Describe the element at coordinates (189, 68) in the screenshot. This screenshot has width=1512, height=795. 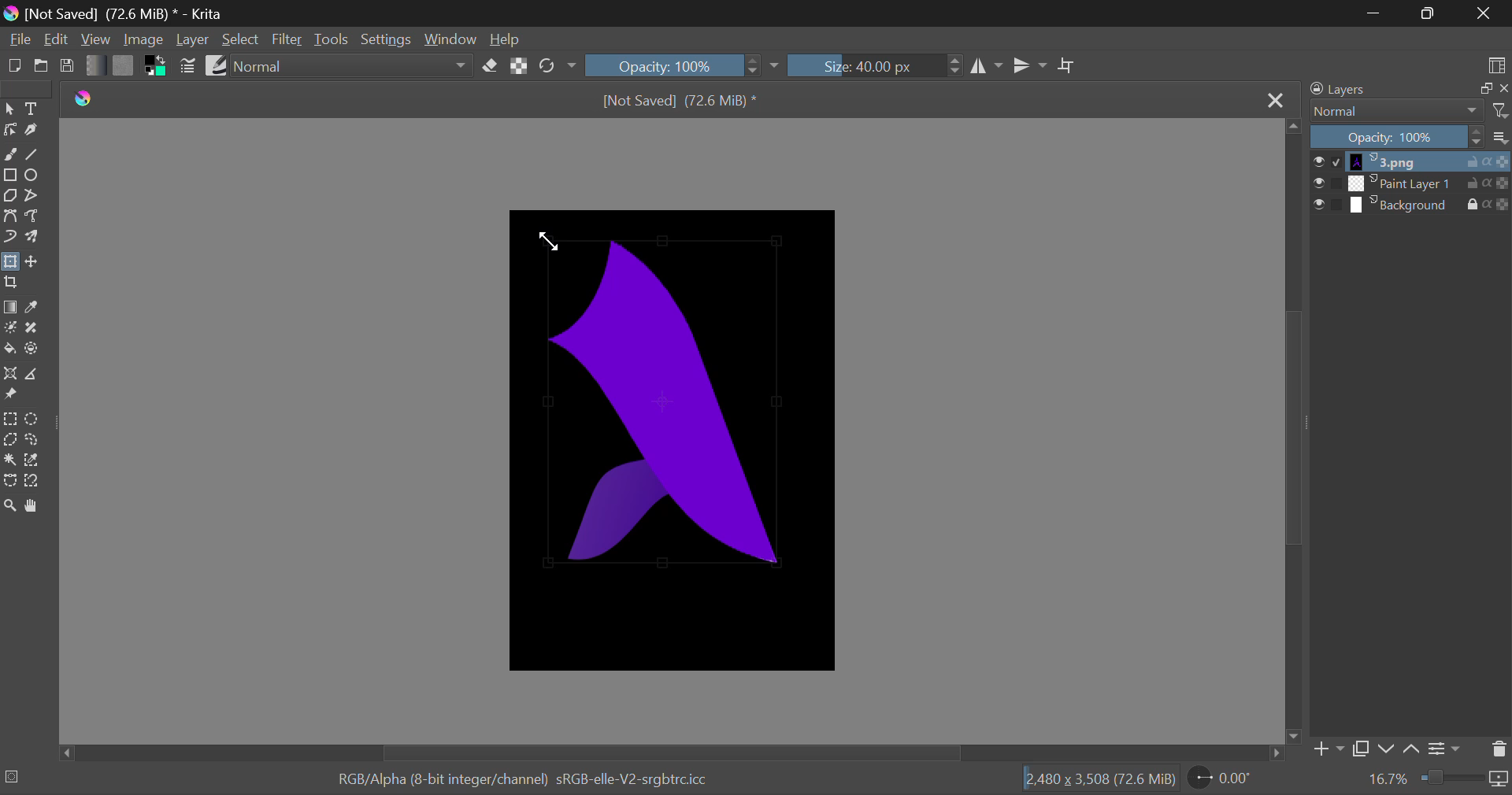
I see `Brush Settings` at that location.